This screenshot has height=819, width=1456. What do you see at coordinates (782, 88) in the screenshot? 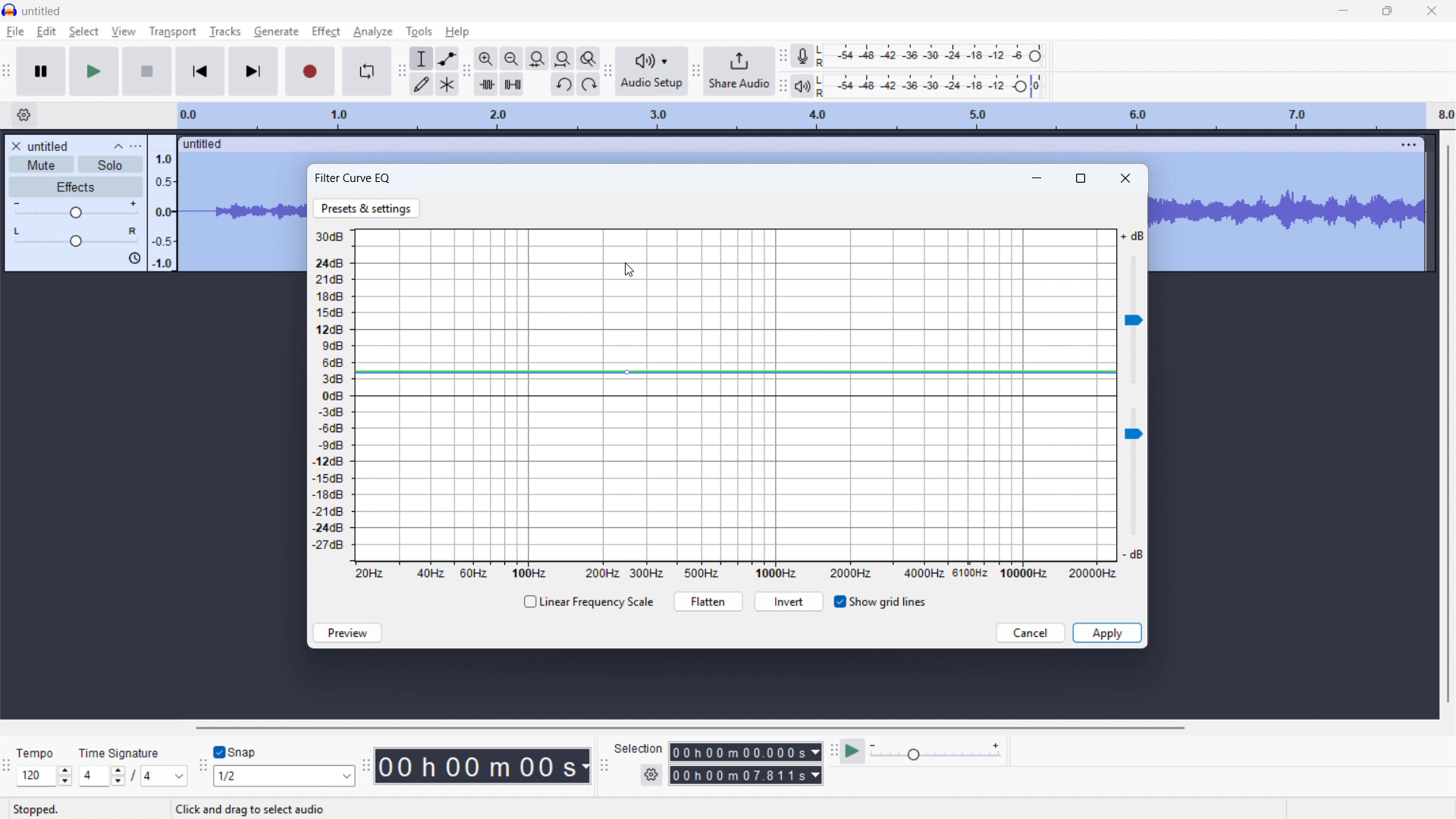
I see `Playback metre toolbar ` at bounding box center [782, 88].